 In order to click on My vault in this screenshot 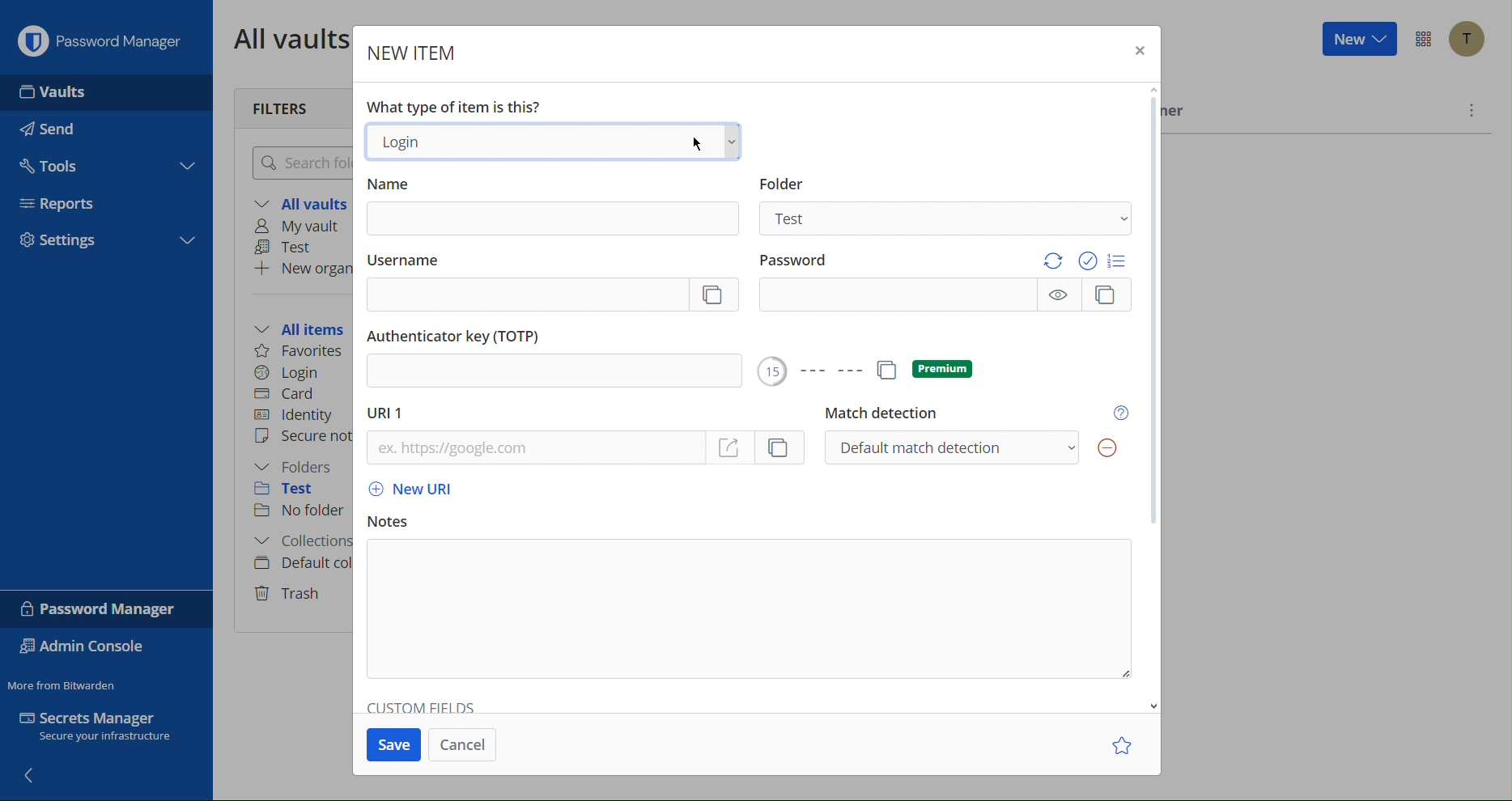, I will do `click(295, 226)`.